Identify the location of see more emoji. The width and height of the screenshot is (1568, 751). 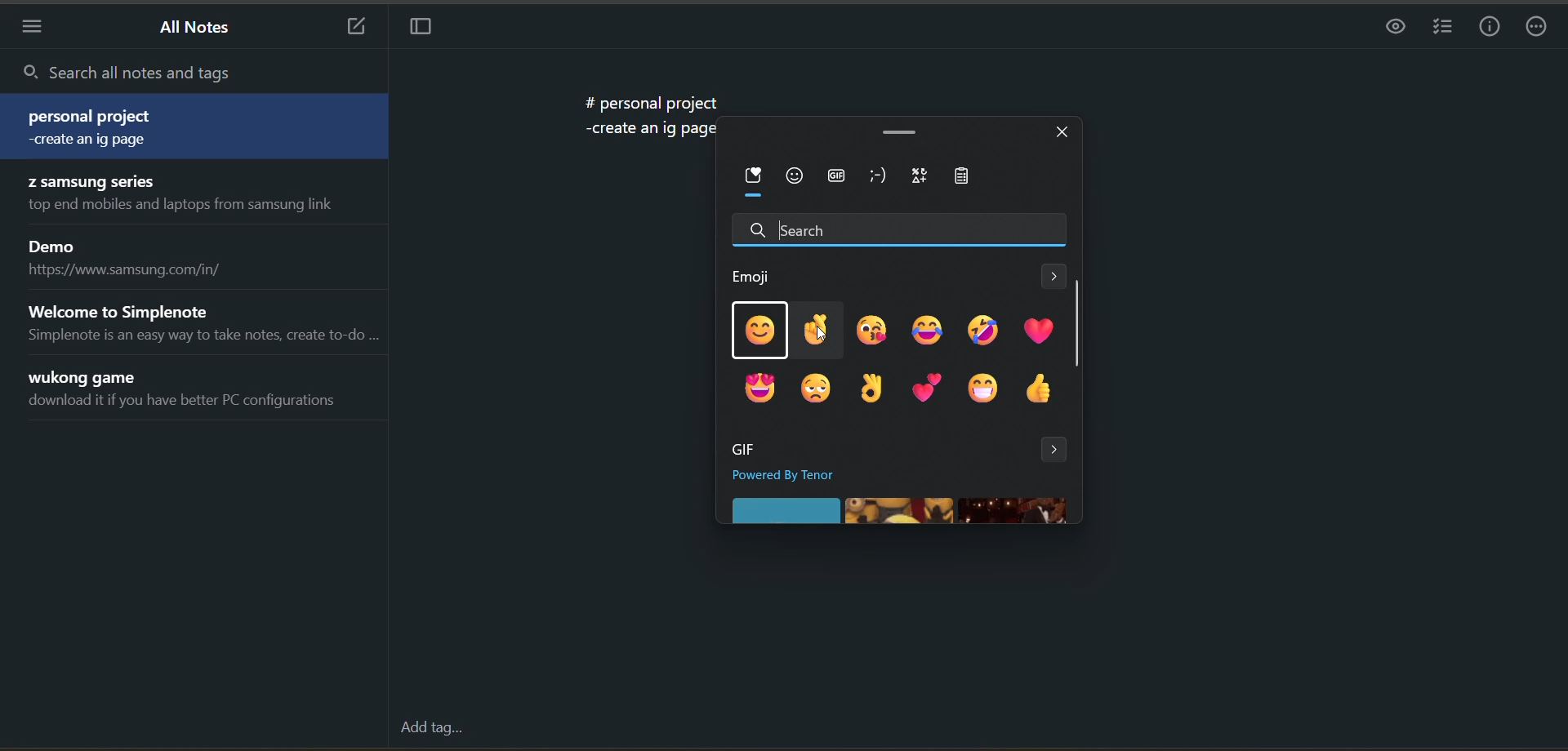
(1054, 277).